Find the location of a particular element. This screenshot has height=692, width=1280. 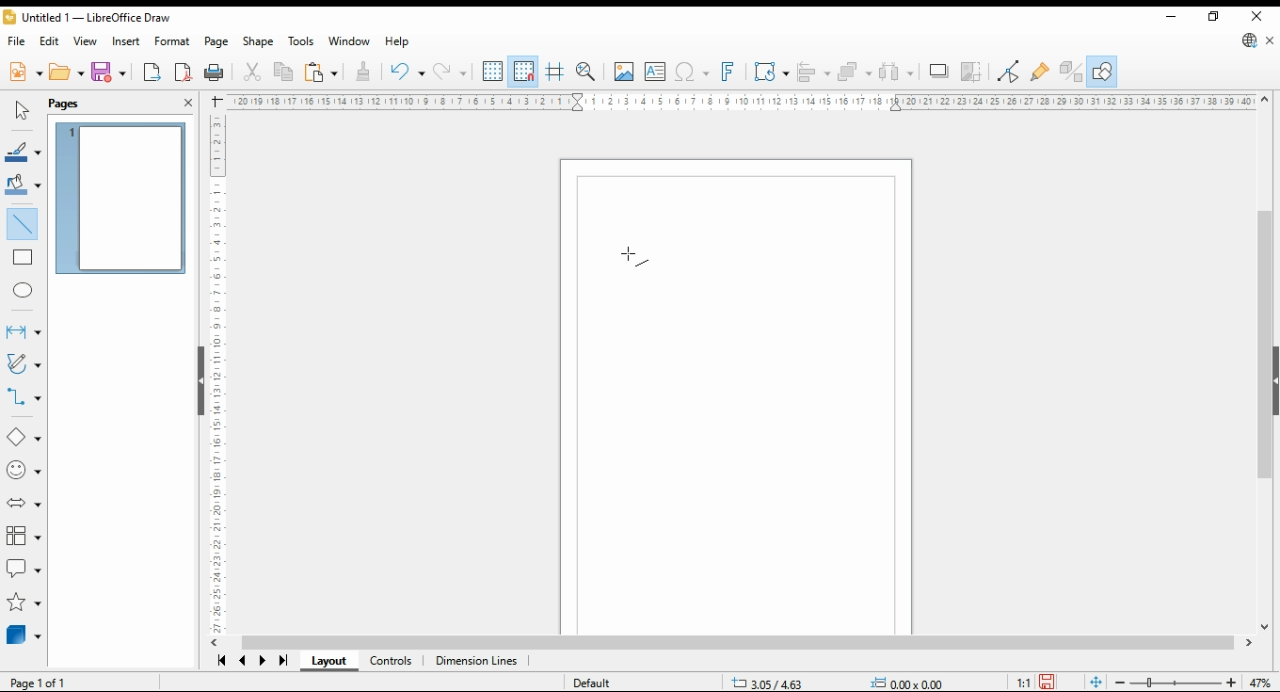

show gluepoint functions is located at coordinates (1040, 70).